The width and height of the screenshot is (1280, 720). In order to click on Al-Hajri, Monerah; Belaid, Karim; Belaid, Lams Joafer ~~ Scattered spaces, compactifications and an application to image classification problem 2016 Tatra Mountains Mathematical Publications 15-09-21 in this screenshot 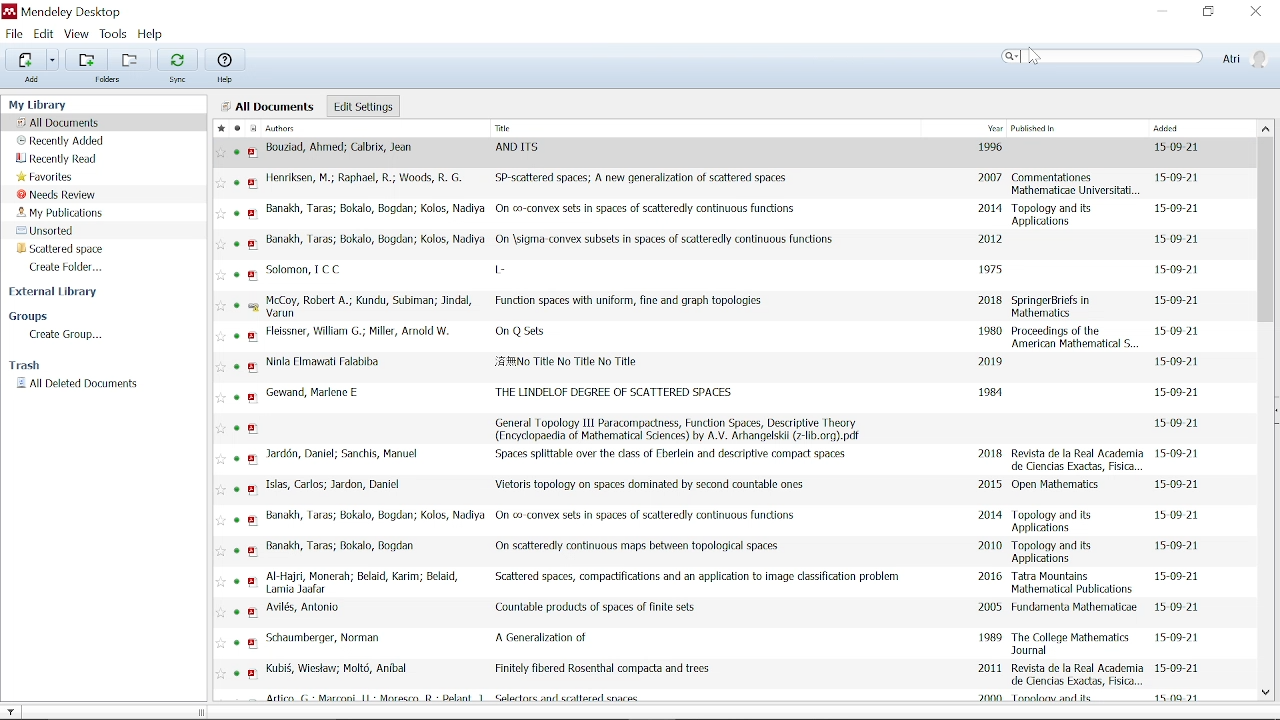, I will do `click(727, 583)`.